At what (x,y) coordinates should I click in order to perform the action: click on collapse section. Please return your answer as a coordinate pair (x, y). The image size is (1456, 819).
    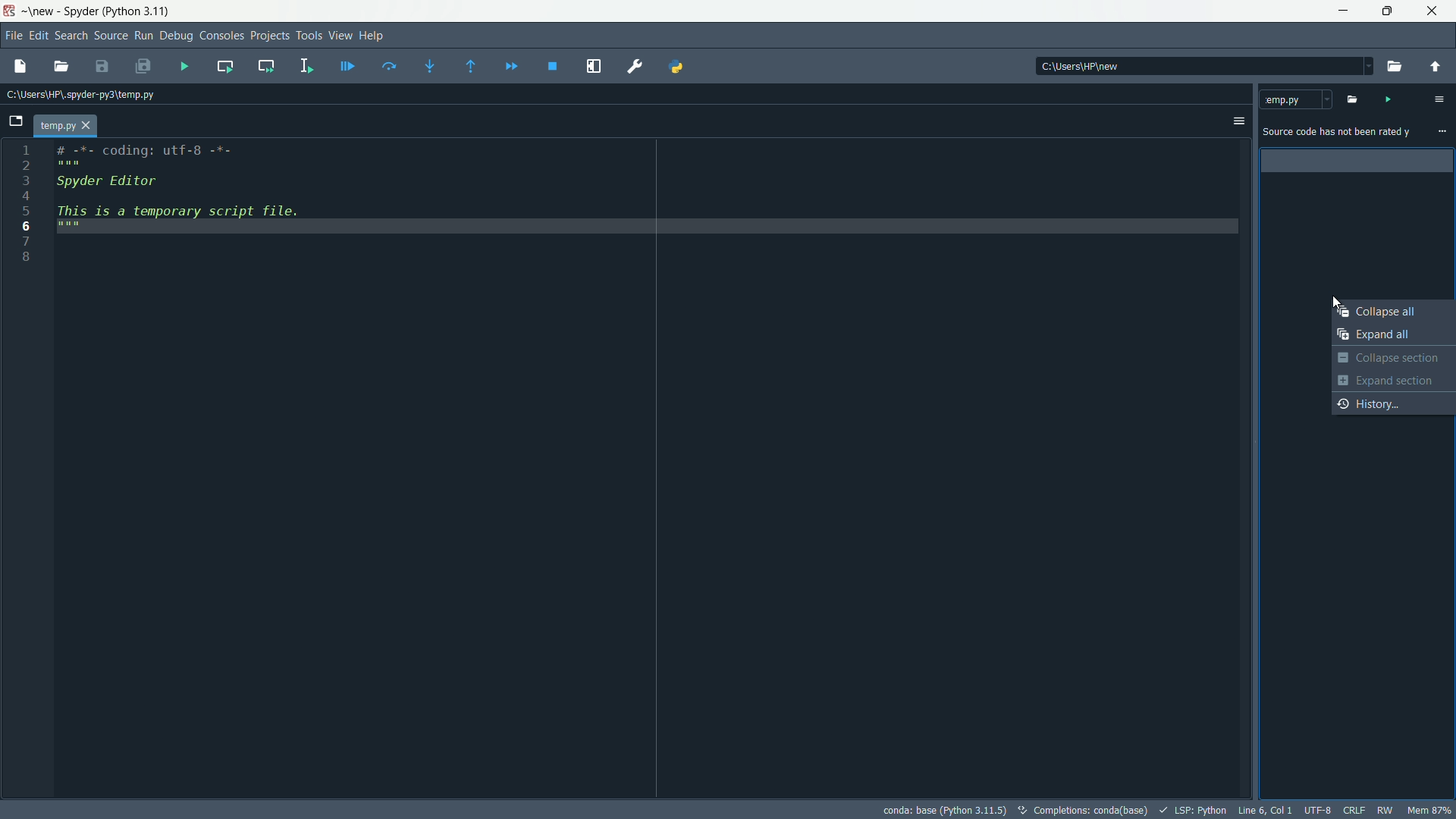
    Looking at the image, I should click on (1392, 359).